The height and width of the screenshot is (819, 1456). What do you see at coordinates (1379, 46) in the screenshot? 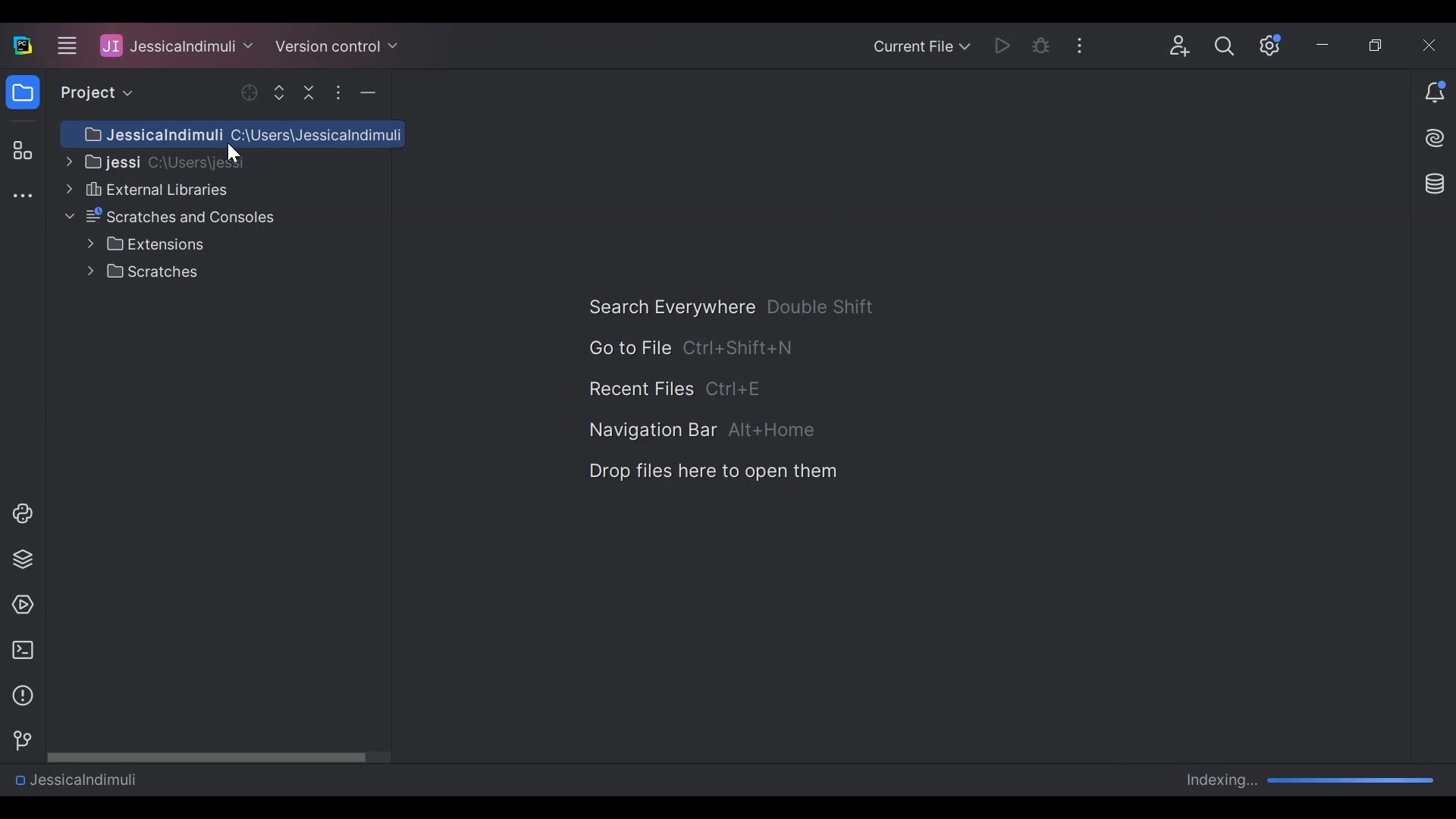
I see `Restore` at bounding box center [1379, 46].